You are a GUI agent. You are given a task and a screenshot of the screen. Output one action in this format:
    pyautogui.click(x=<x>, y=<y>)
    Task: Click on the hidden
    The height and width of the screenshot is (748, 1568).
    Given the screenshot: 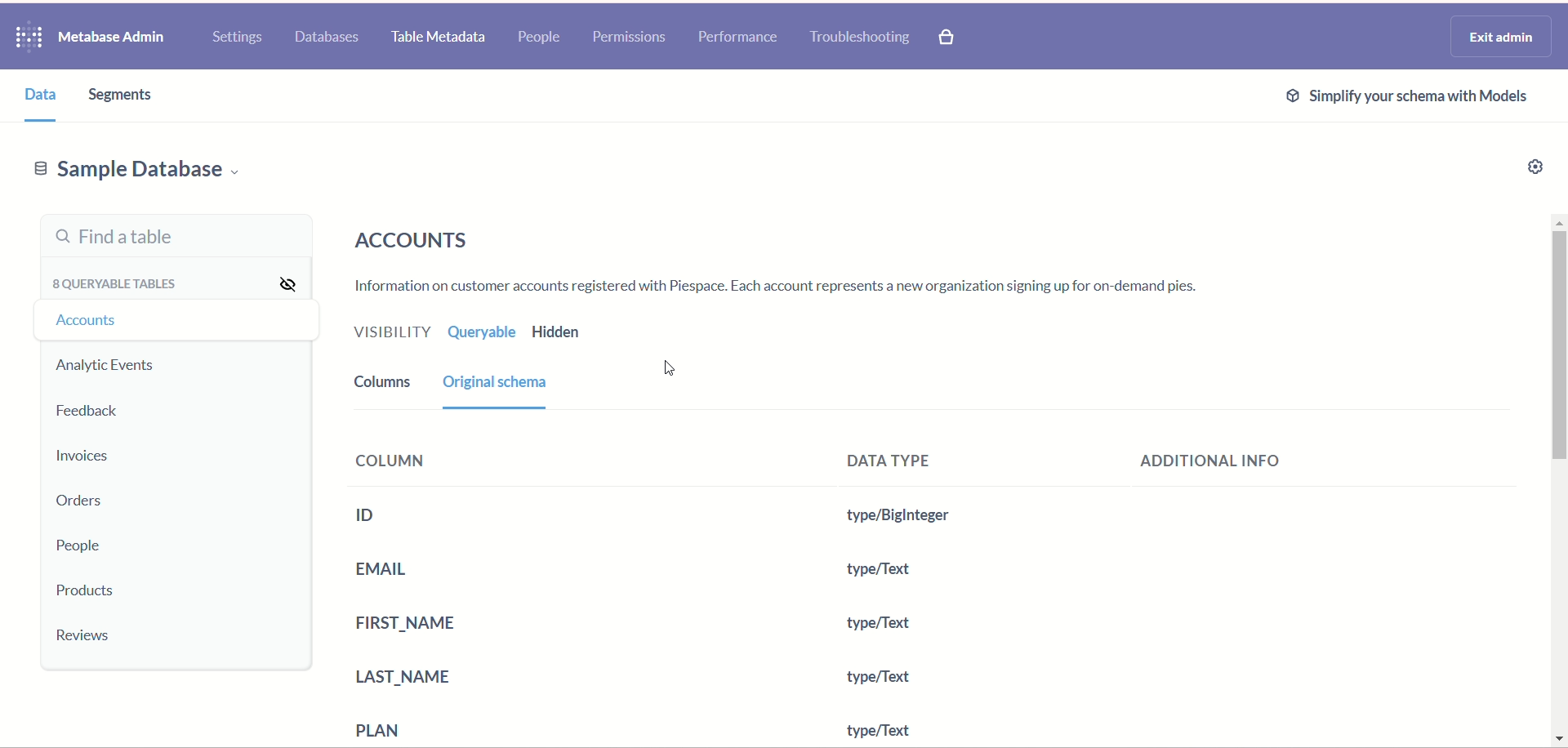 What is the action you would take?
    pyautogui.click(x=563, y=332)
    